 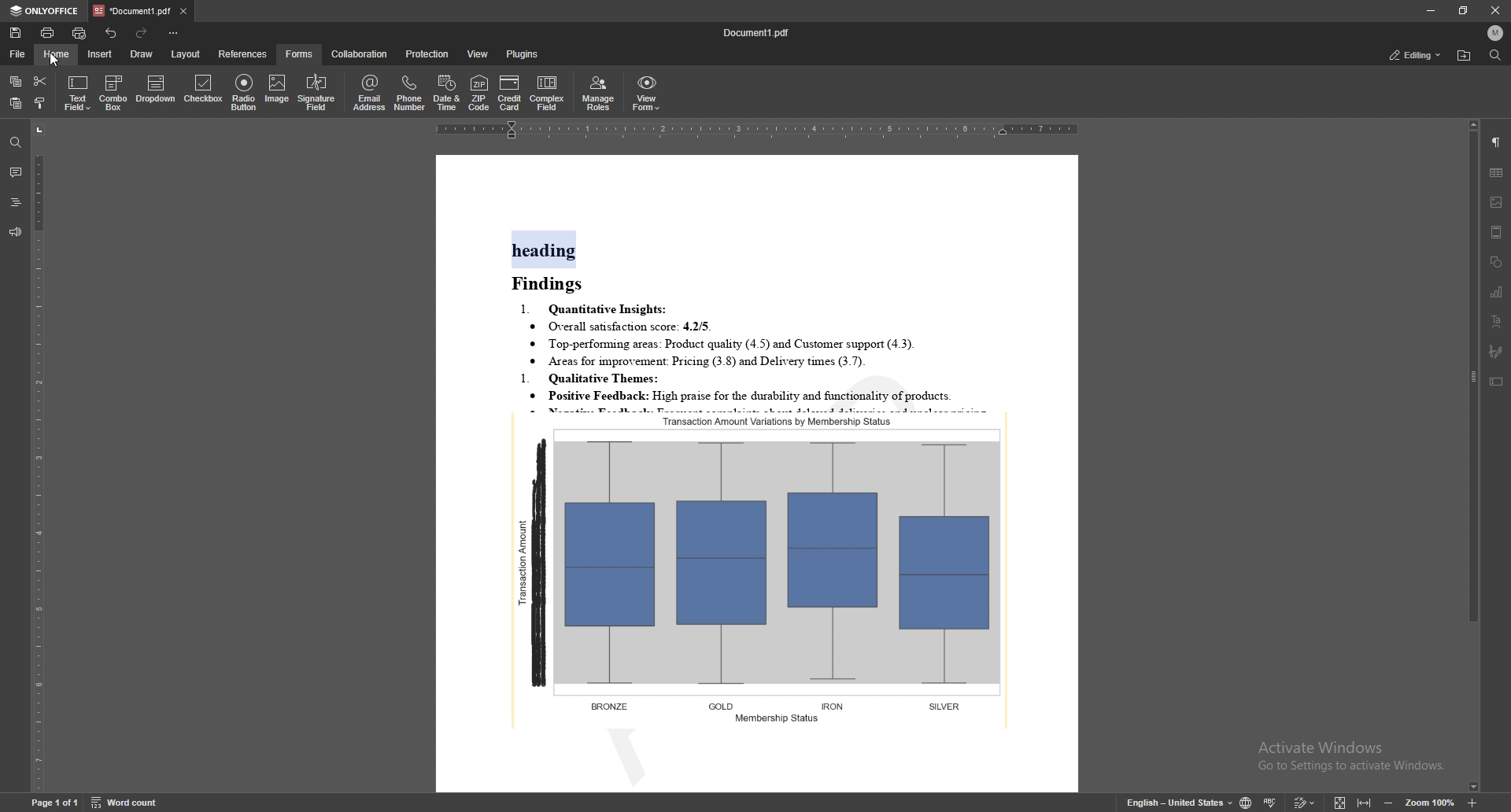 What do you see at coordinates (115, 92) in the screenshot?
I see `combo box` at bounding box center [115, 92].